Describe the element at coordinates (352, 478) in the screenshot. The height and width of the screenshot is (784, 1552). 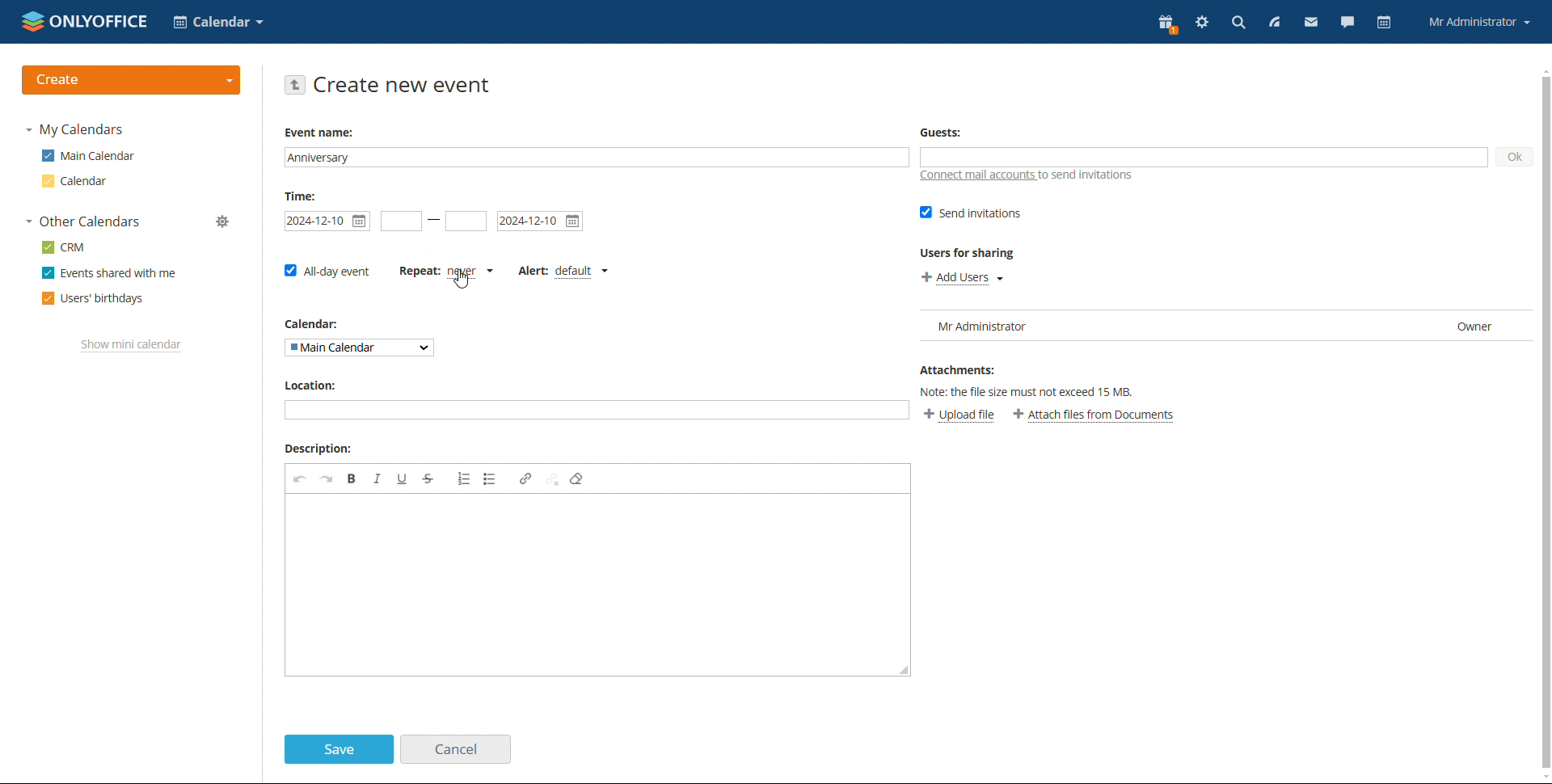
I see `bold` at that location.